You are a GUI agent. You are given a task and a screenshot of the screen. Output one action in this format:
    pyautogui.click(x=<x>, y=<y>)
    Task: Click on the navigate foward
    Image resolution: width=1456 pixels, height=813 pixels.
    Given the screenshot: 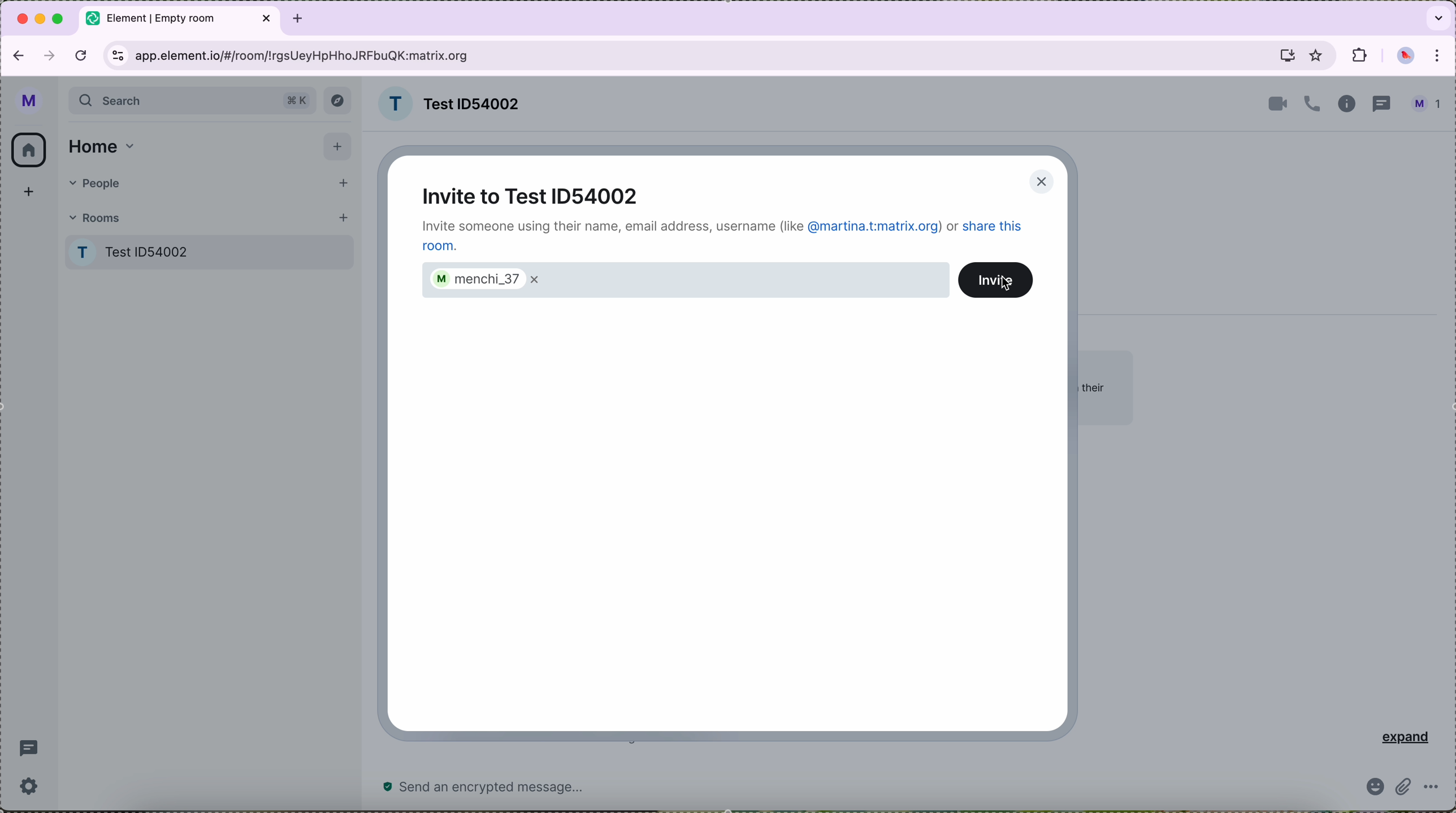 What is the action you would take?
    pyautogui.click(x=48, y=56)
    